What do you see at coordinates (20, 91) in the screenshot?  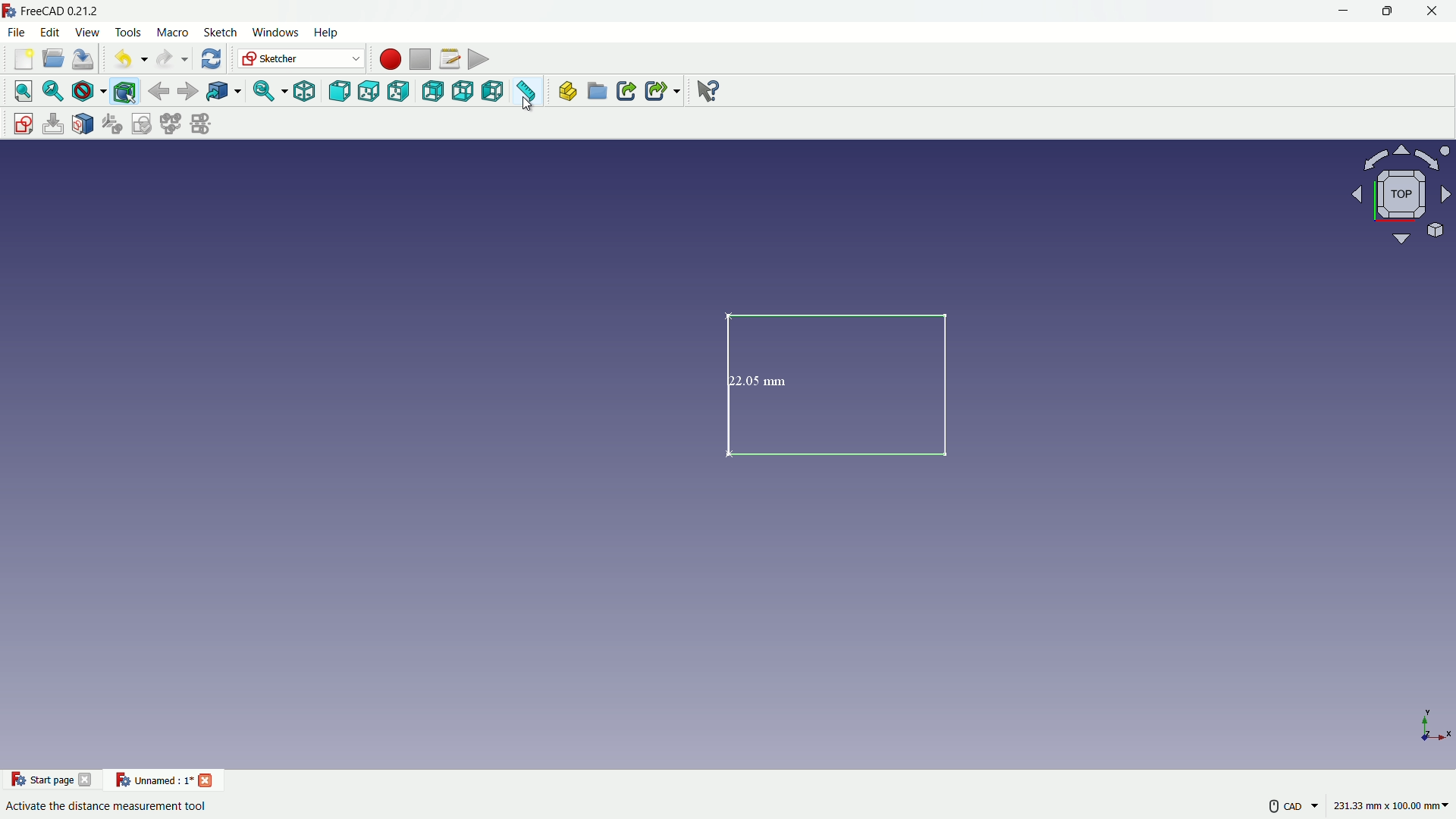 I see `fit all` at bounding box center [20, 91].